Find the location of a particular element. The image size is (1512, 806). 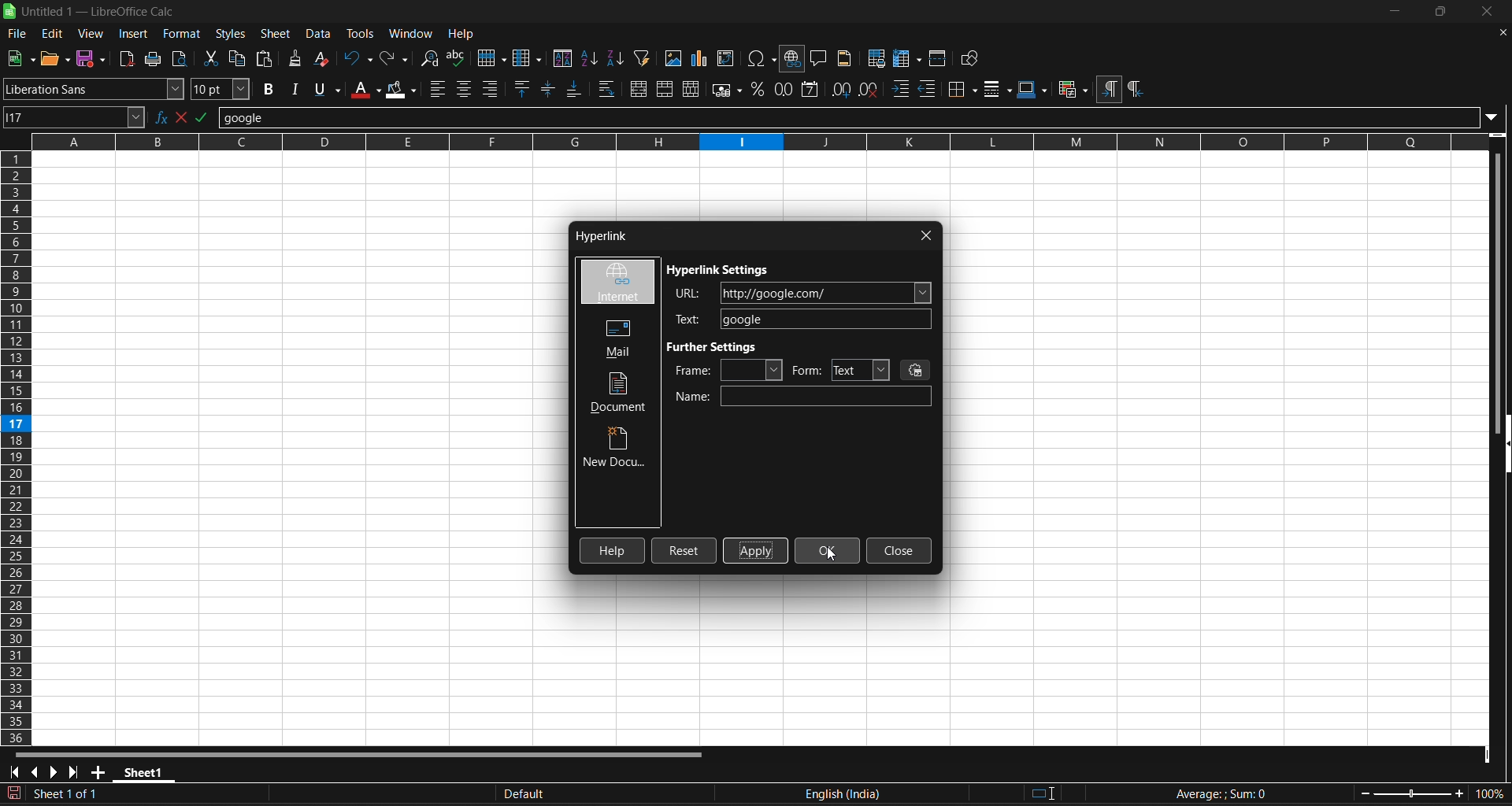

events is located at coordinates (917, 369).